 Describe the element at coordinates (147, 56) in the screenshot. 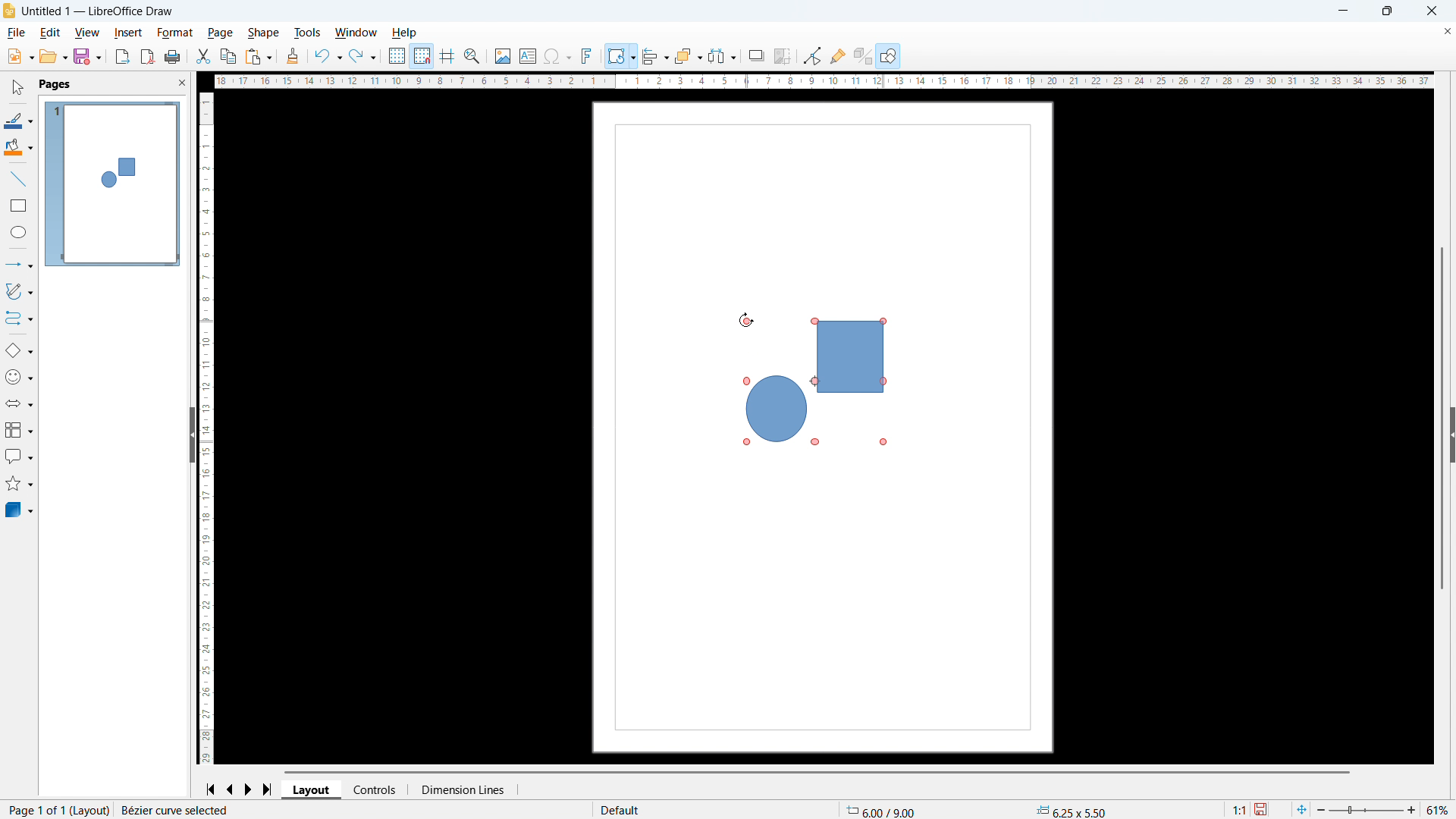

I see `Export as PDF ` at that location.